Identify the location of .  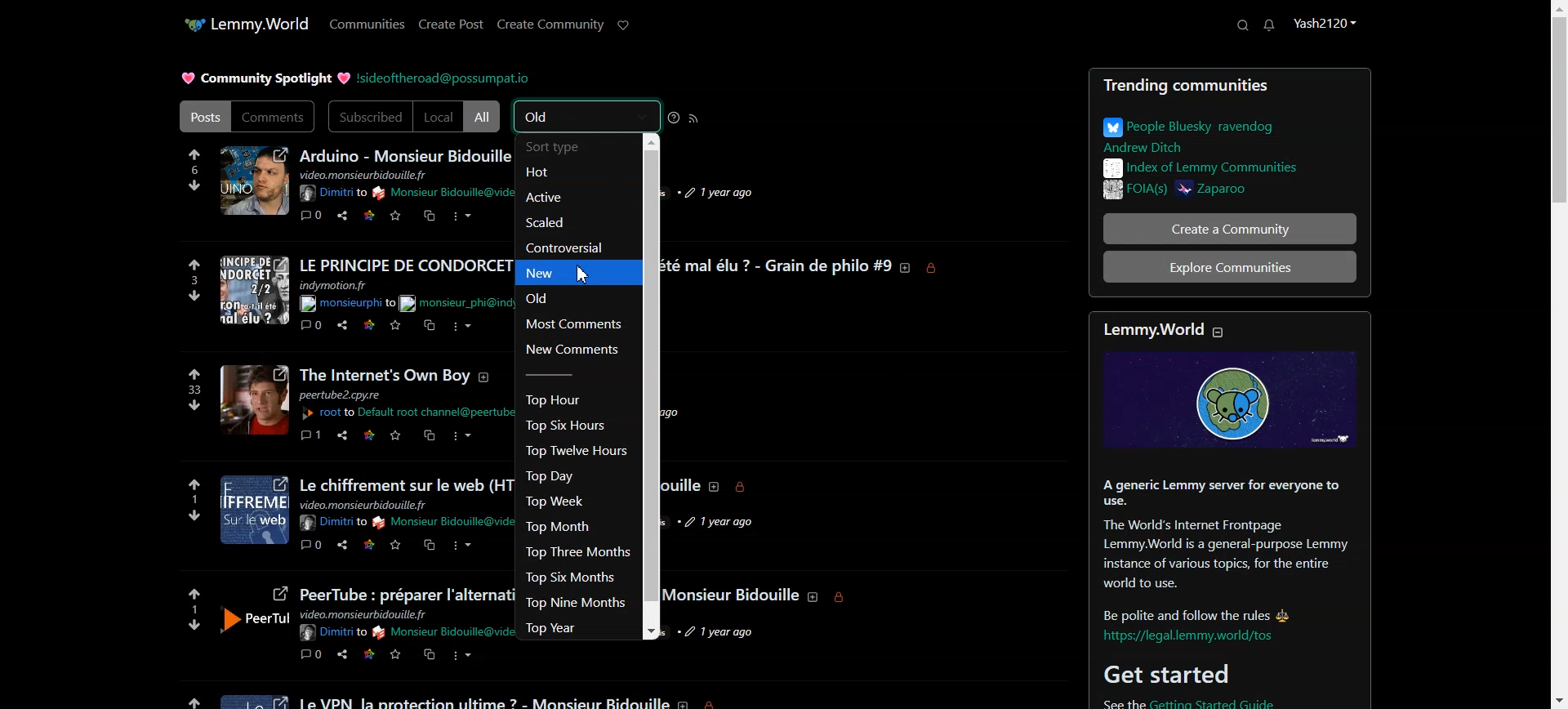
(345, 437).